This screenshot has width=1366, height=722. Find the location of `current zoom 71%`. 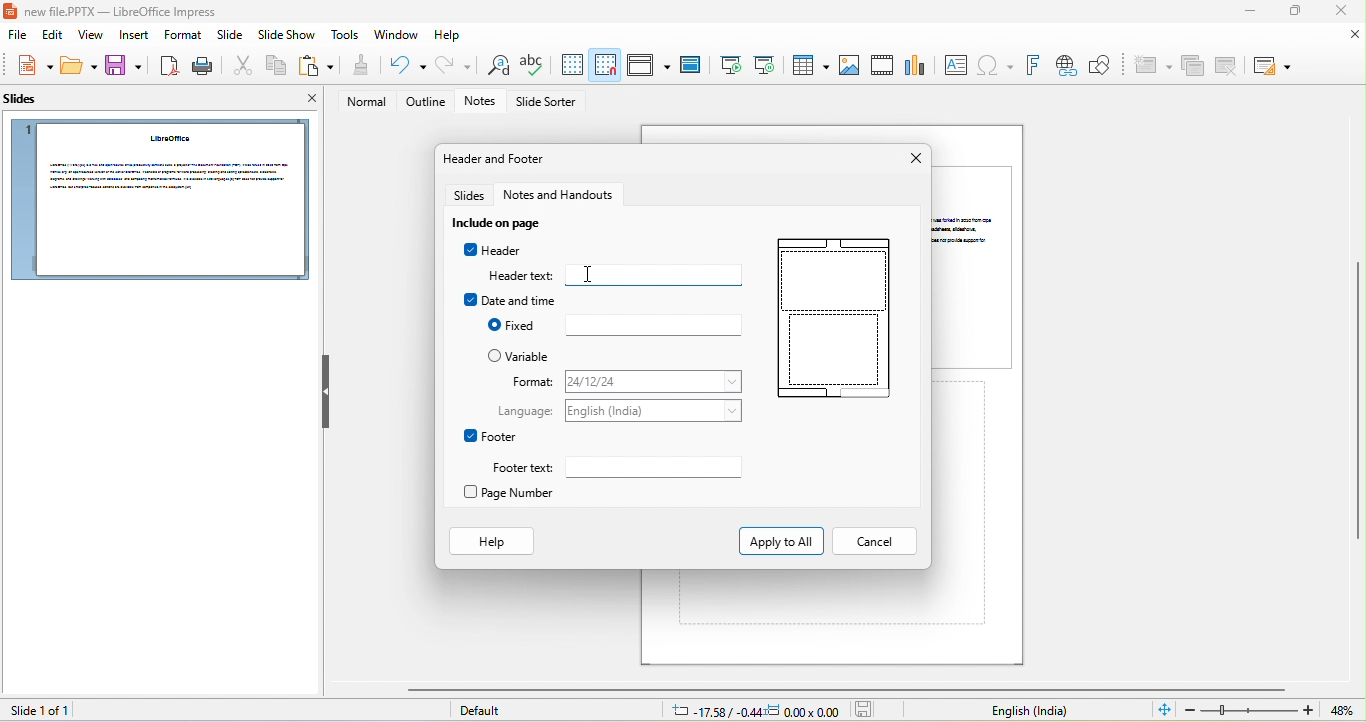

current zoom 71% is located at coordinates (1347, 711).